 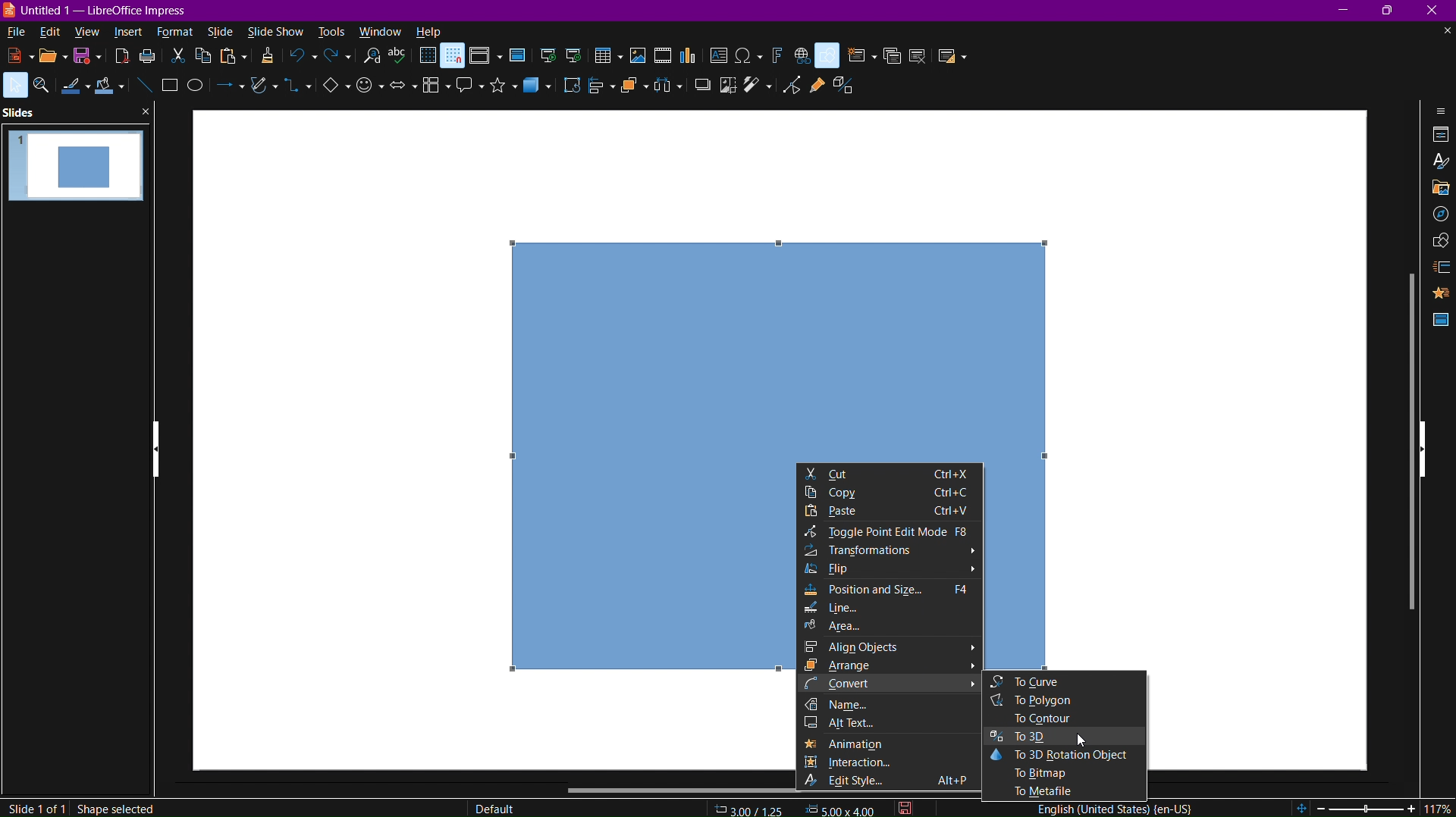 I want to click on Area, so click(x=857, y=629).